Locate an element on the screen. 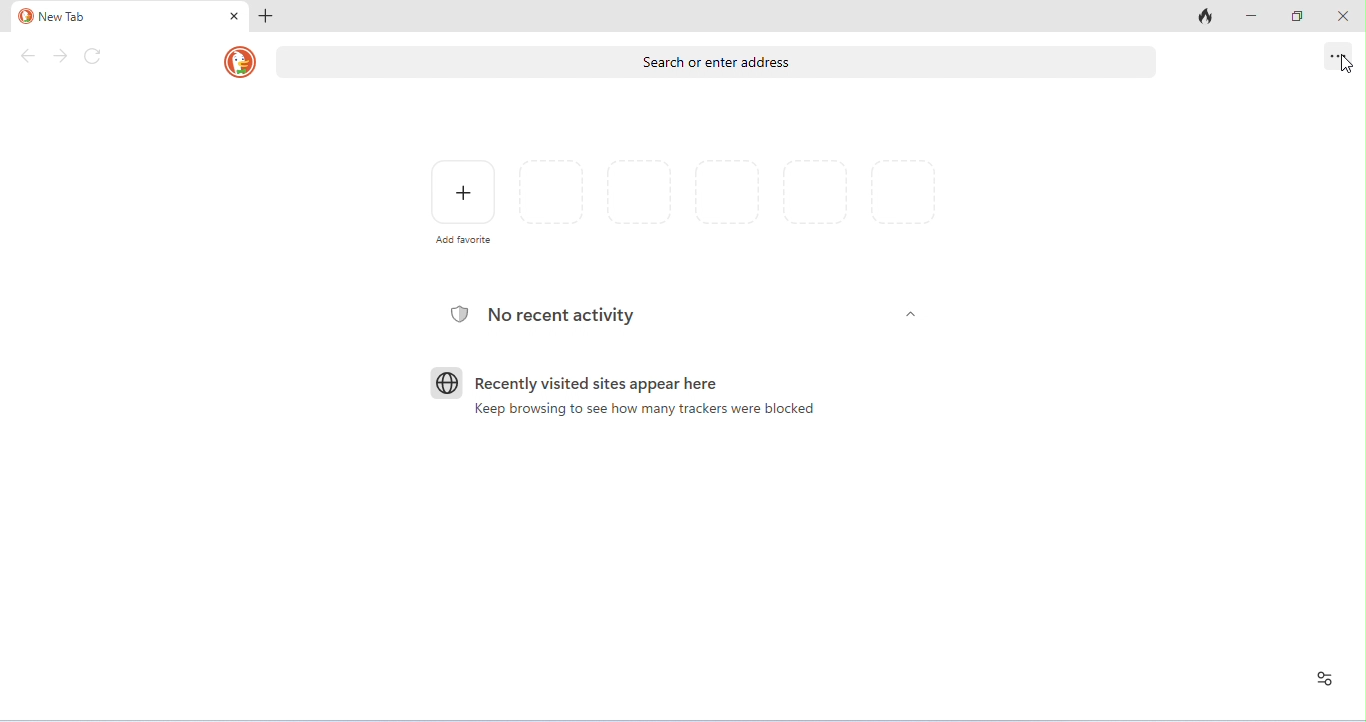 The width and height of the screenshot is (1366, 722). minimize is located at coordinates (1250, 15).